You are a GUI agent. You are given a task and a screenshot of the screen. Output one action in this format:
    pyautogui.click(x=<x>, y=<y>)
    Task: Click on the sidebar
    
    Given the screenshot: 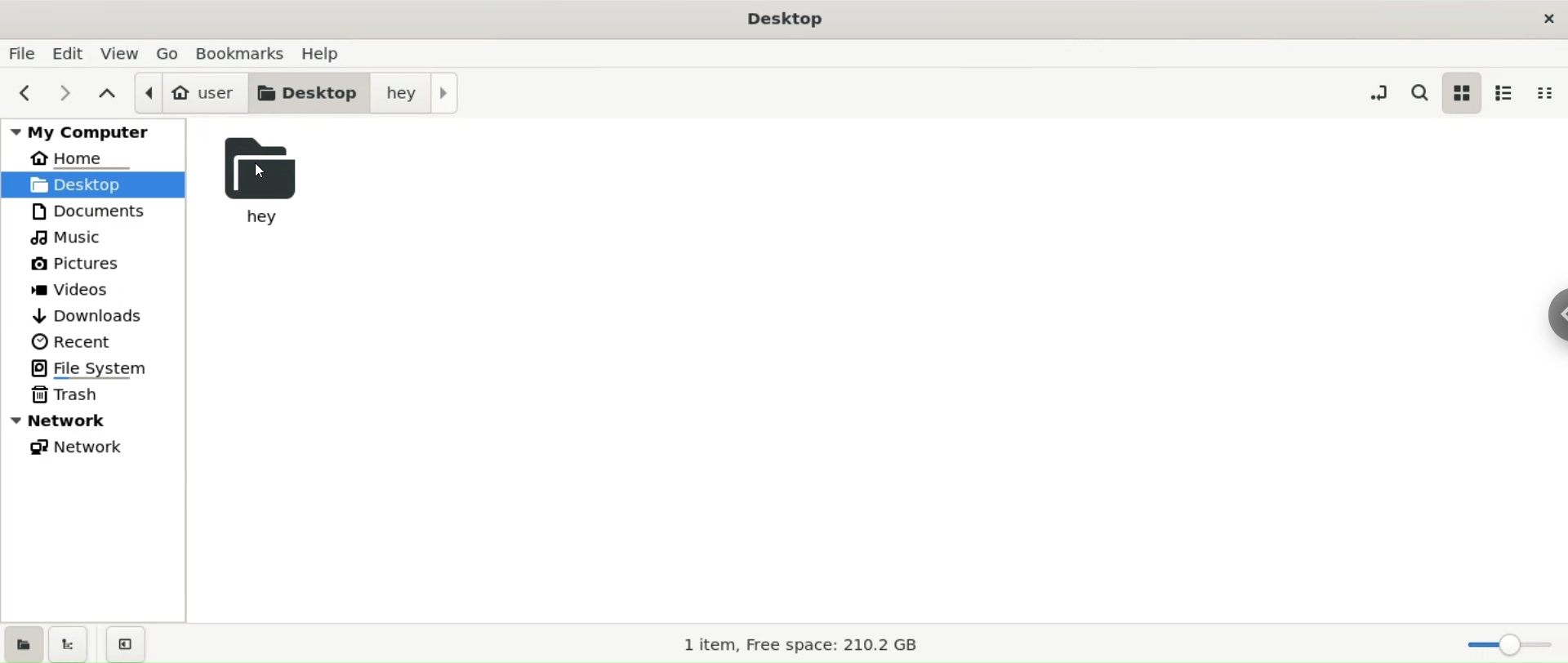 What is the action you would take?
    pyautogui.click(x=1539, y=315)
    